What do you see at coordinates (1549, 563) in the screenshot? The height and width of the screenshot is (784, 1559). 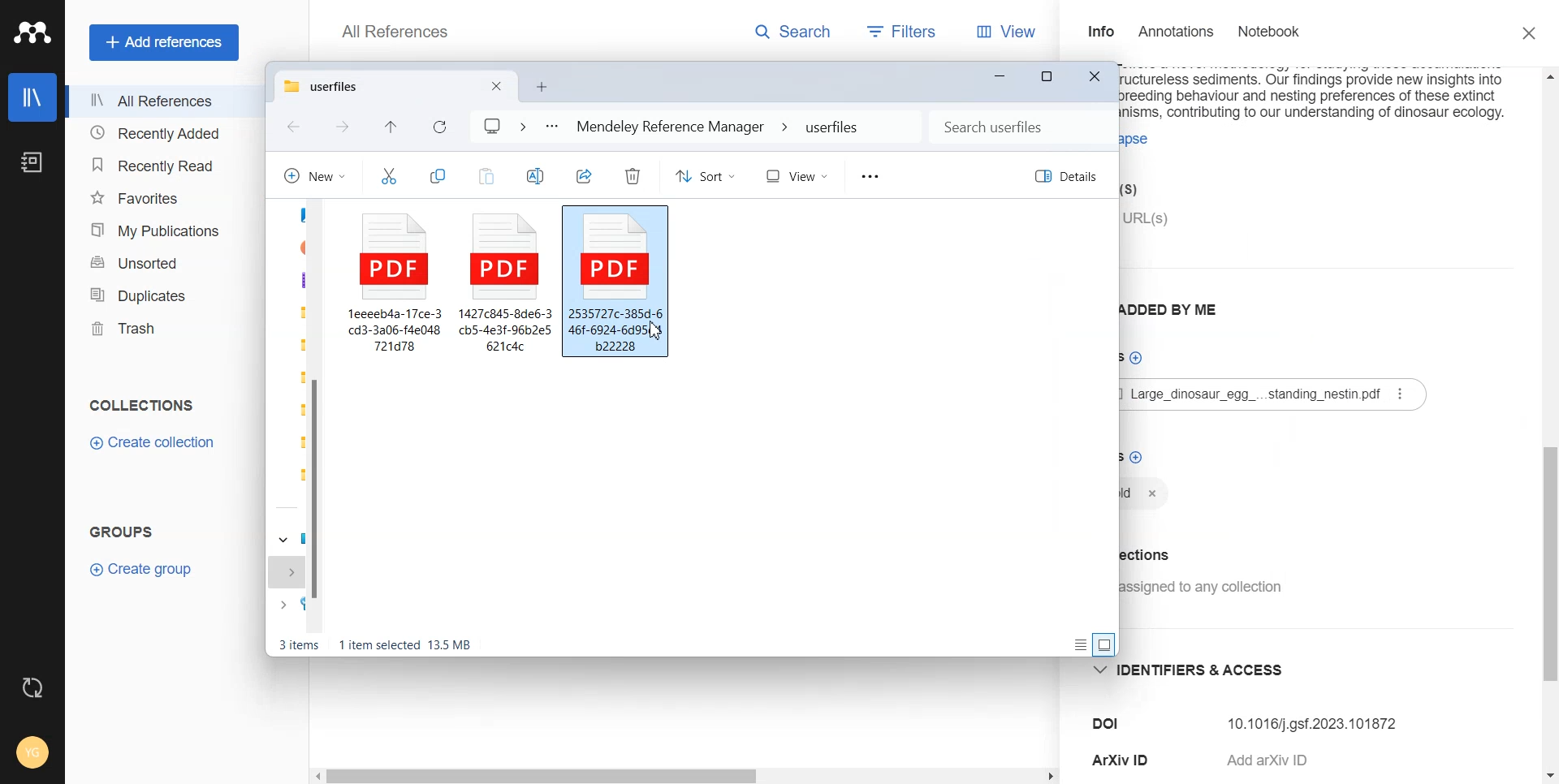 I see `Vertical scrollbar` at bounding box center [1549, 563].